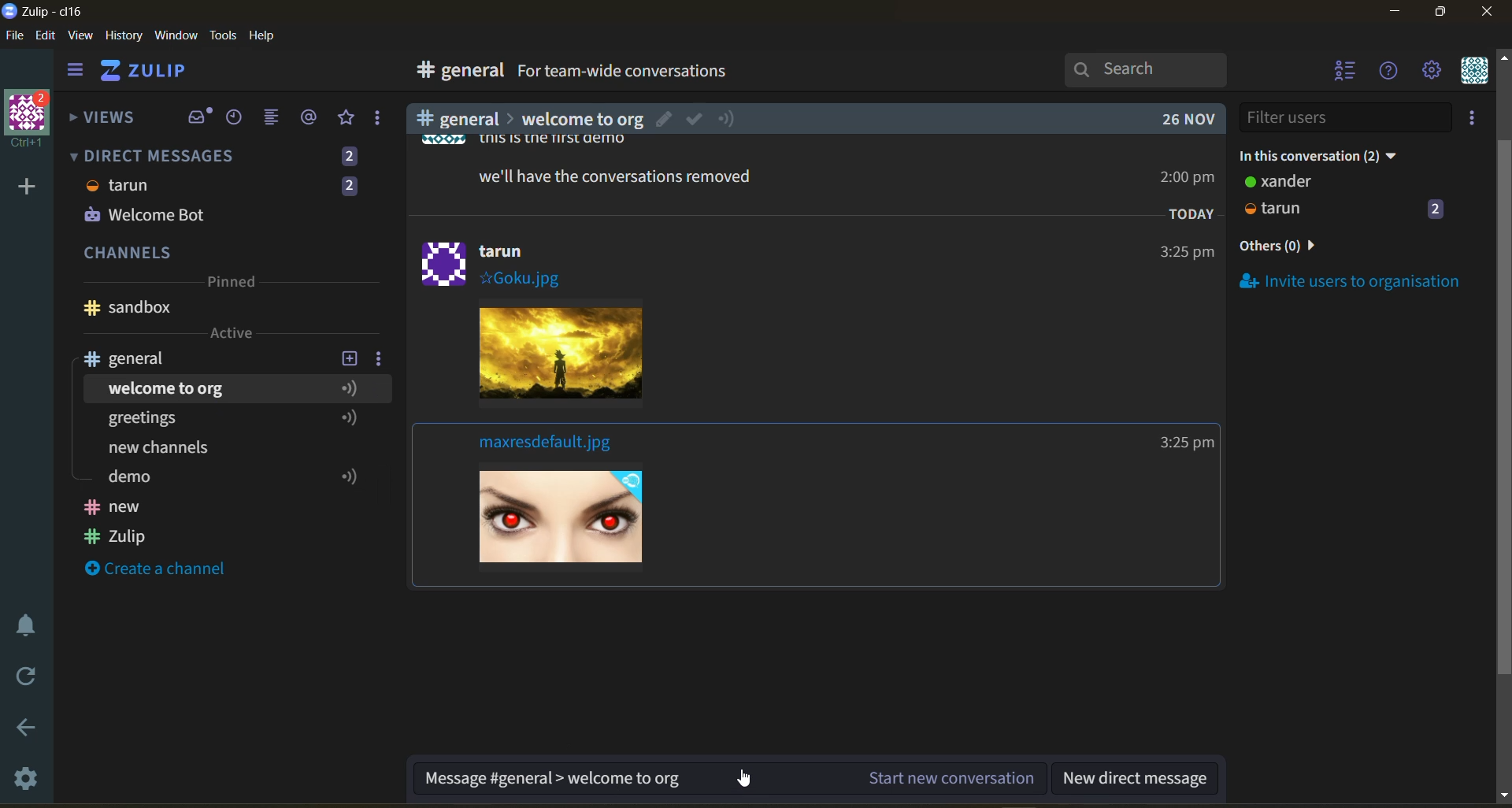 This screenshot has width=1512, height=808. What do you see at coordinates (1160, 69) in the screenshot?
I see `search` at bounding box center [1160, 69].